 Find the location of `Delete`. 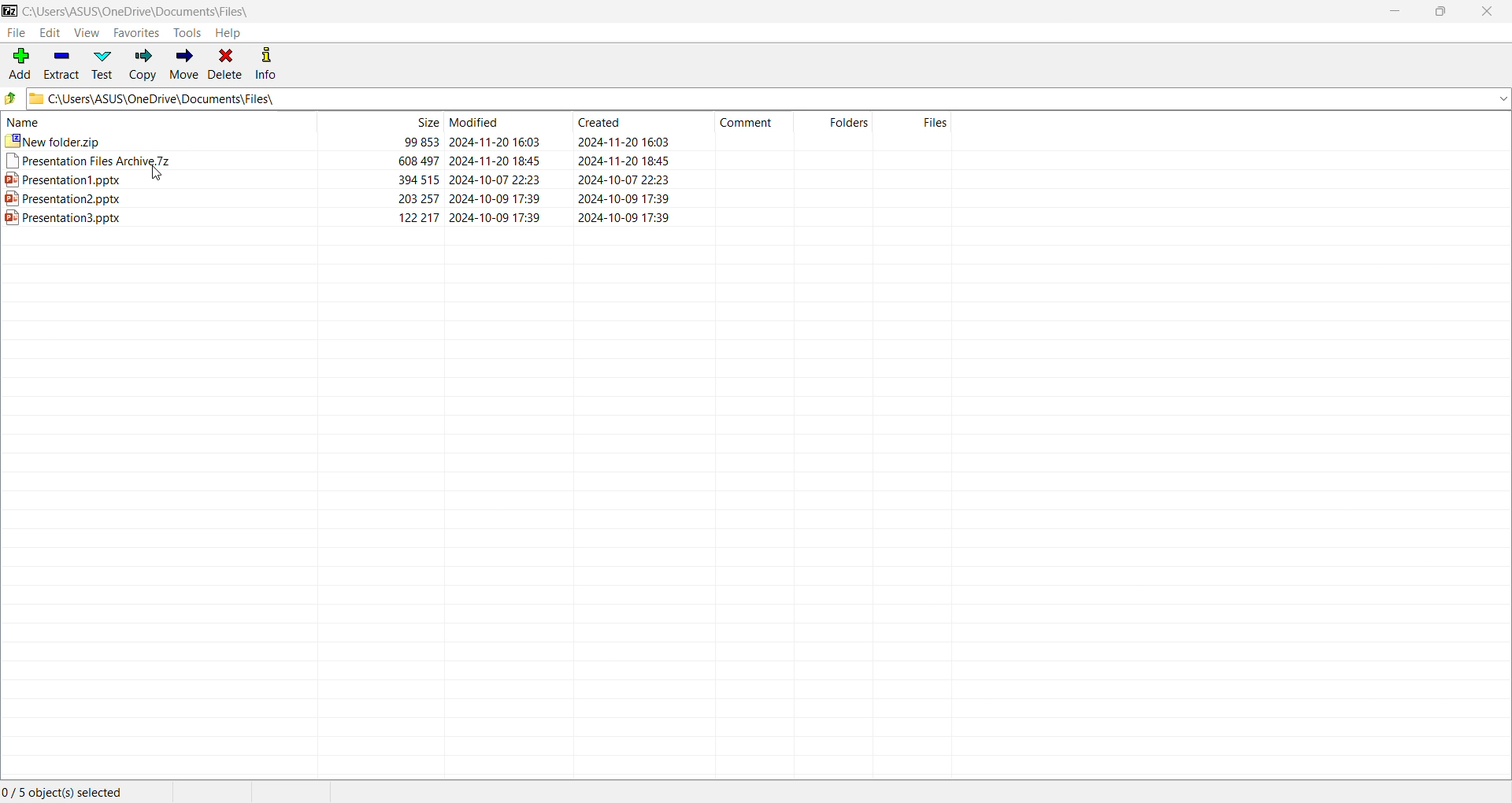

Delete is located at coordinates (225, 65).